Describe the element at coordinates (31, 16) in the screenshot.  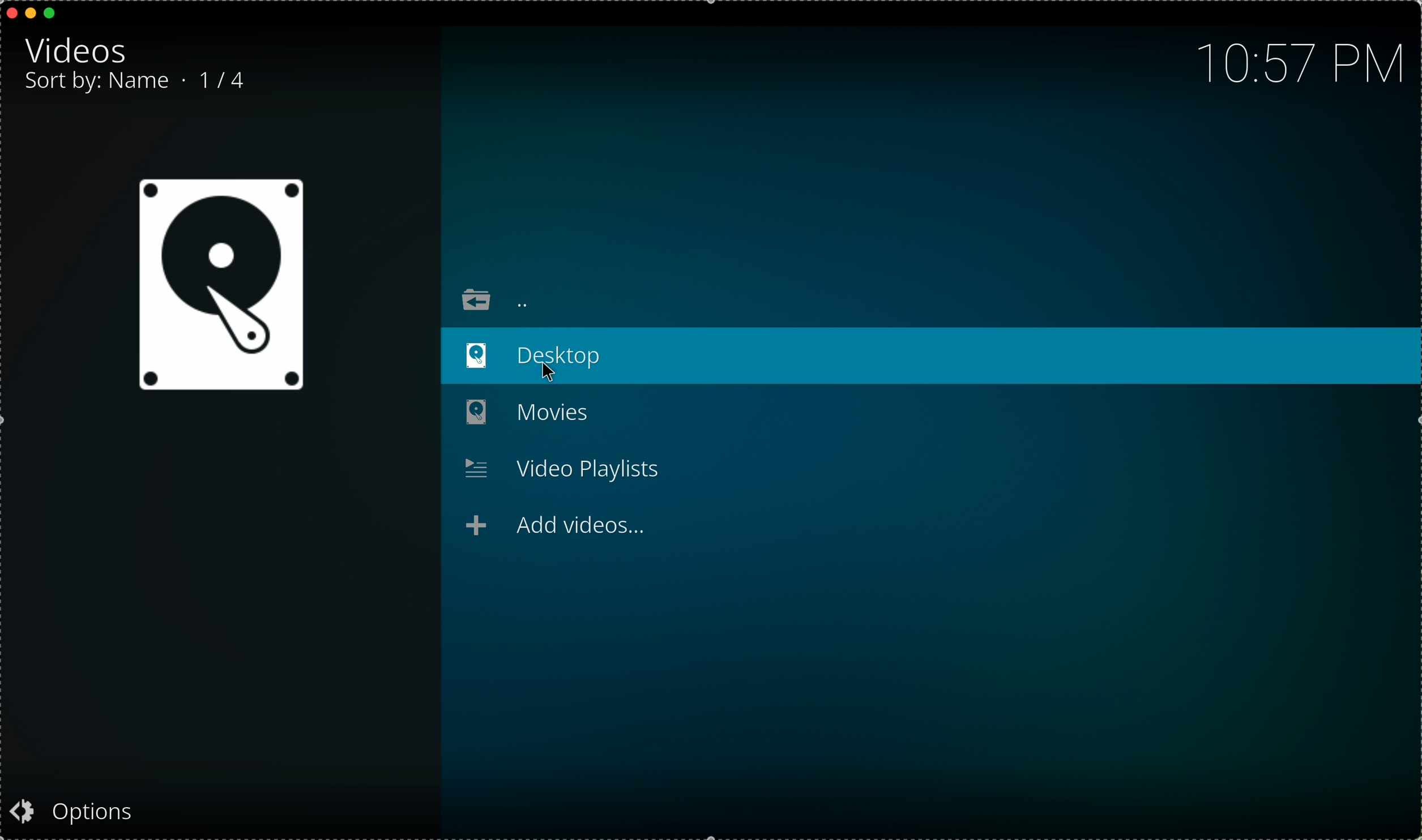
I see `minimize ` at that location.